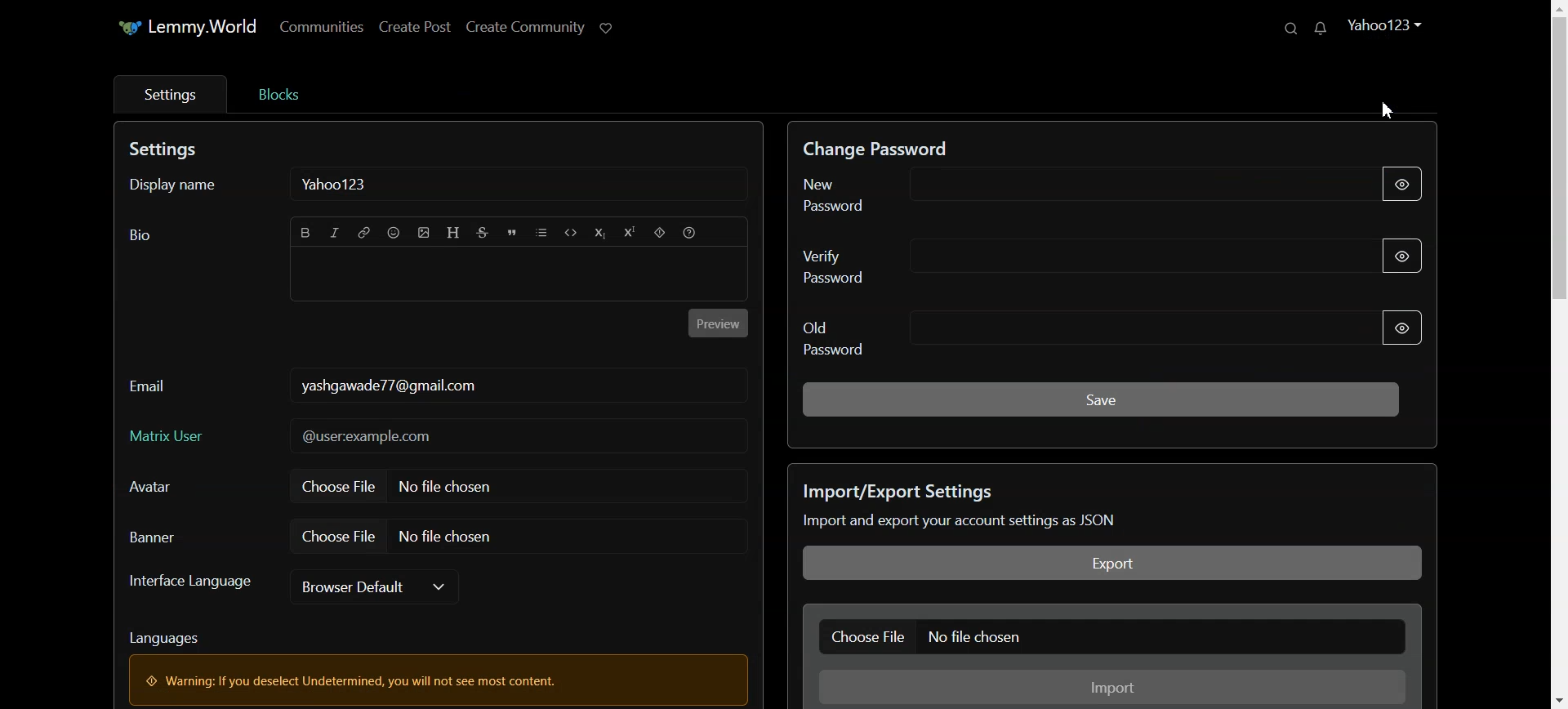  Describe the element at coordinates (1112, 635) in the screenshot. I see `Choose File` at that location.